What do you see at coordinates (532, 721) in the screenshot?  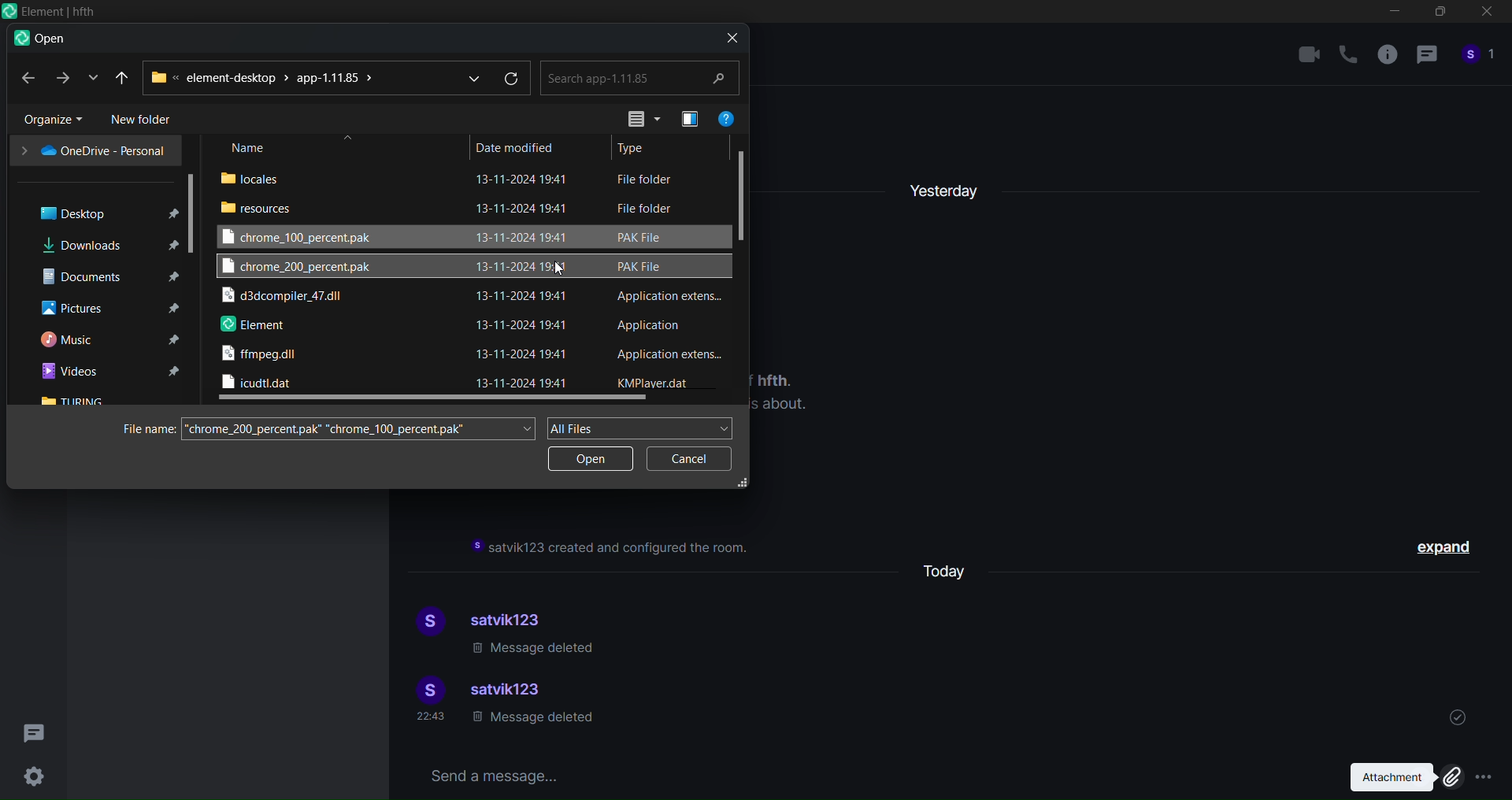 I see `message deleted` at bounding box center [532, 721].